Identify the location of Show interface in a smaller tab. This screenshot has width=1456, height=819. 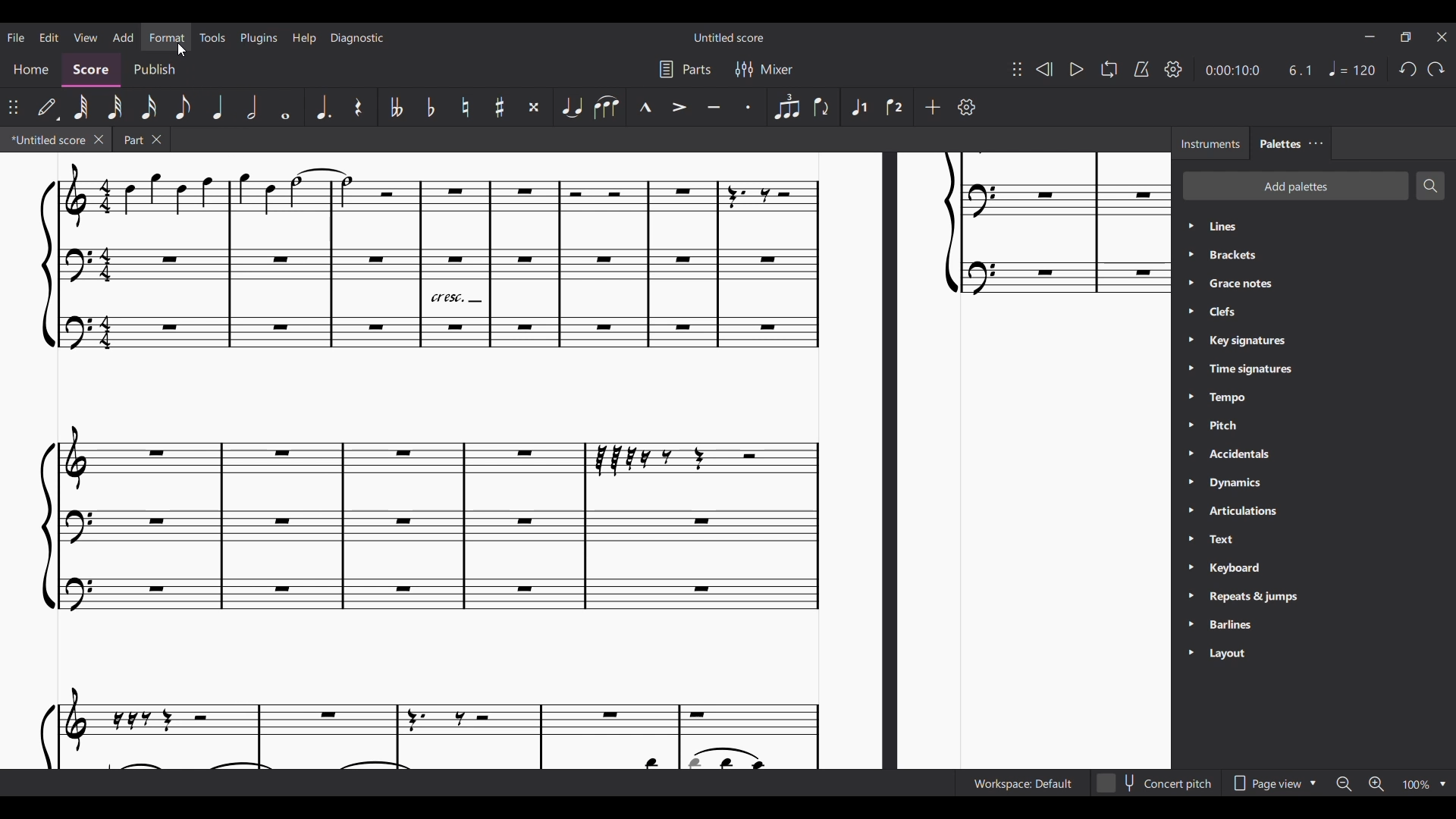
(1405, 37).